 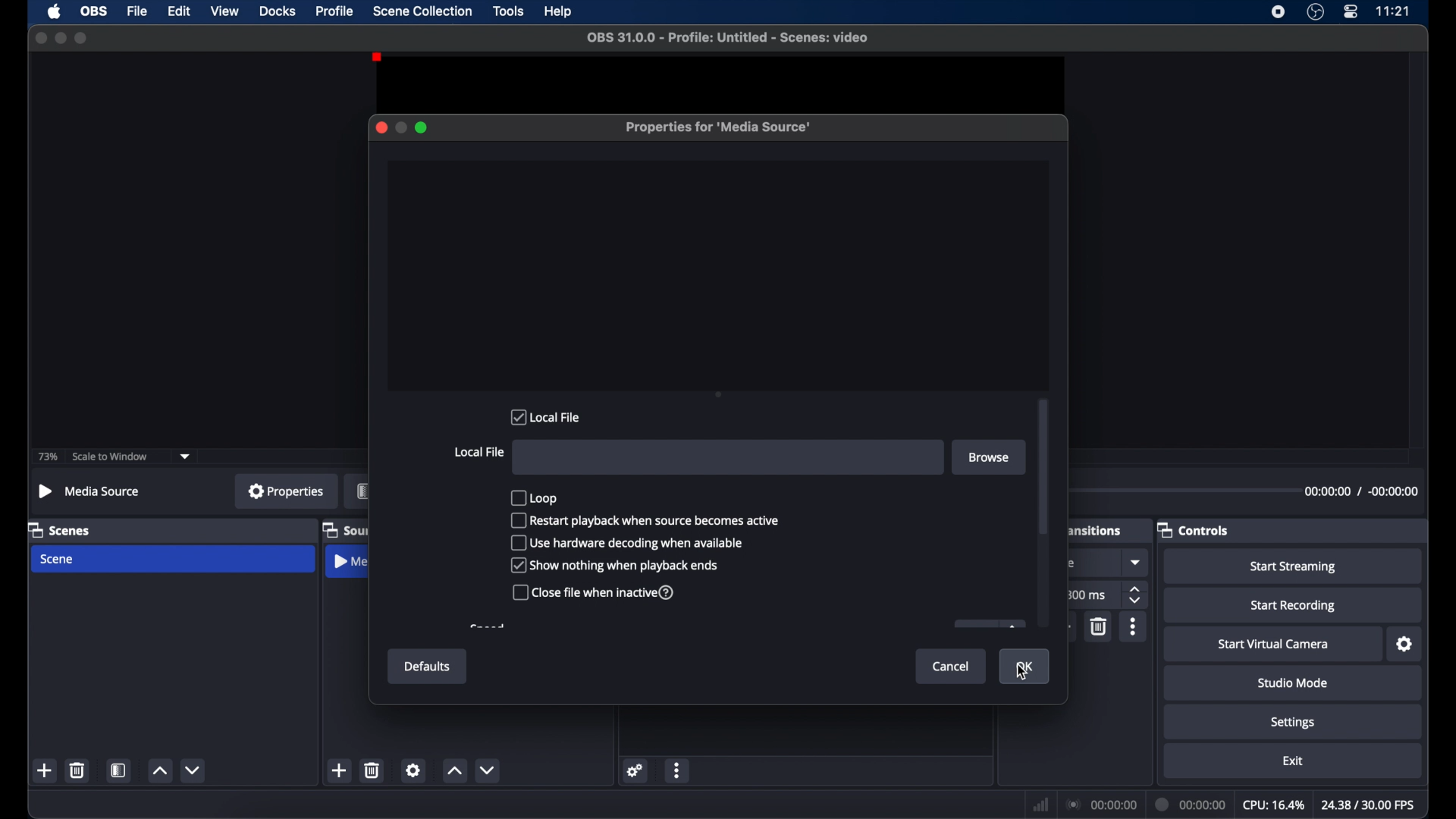 What do you see at coordinates (224, 10) in the screenshot?
I see `view` at bounding box center [224, 10].